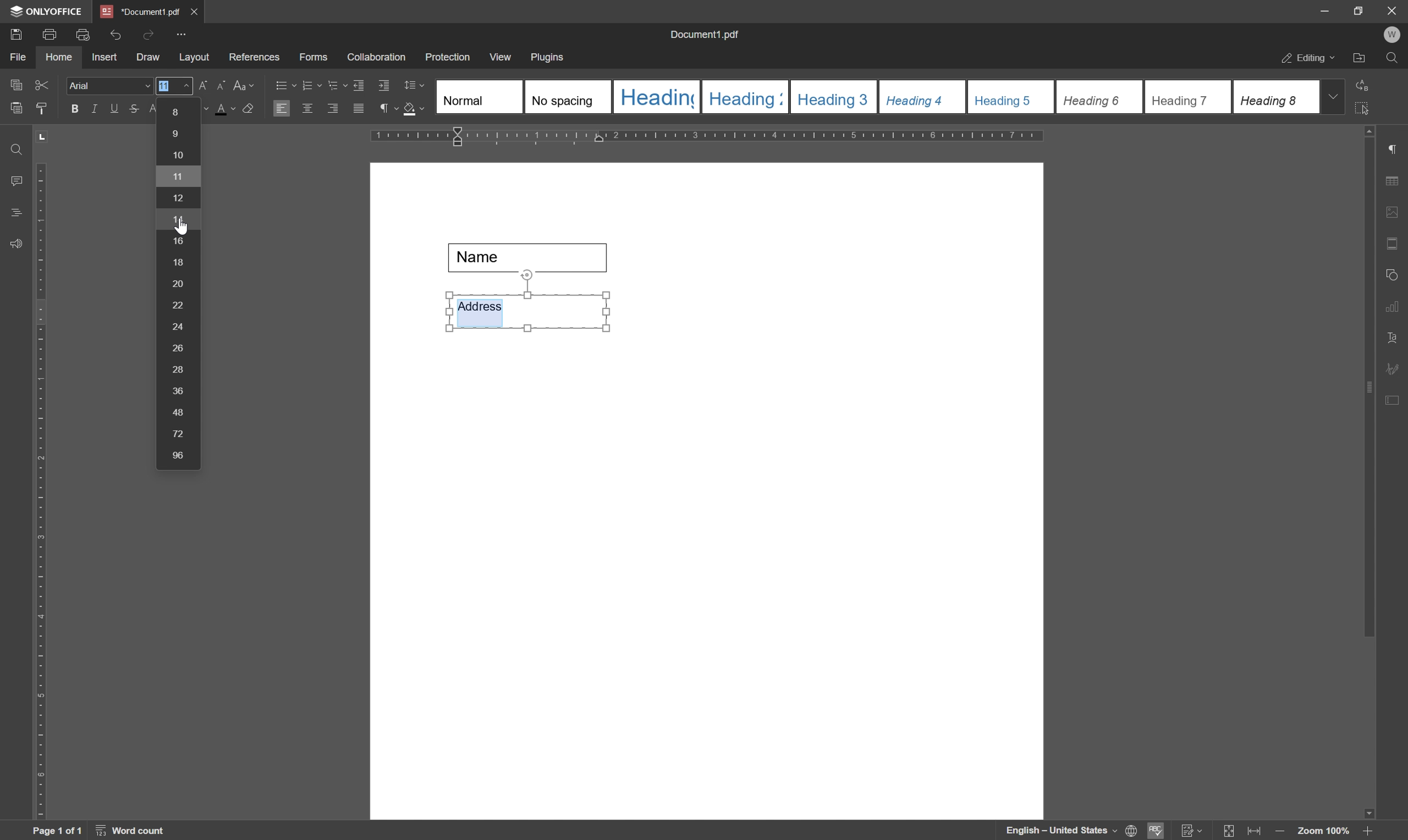 This screenshot has height=840, width=1408. What do you see at coordinates (110, 86) in the screenshot?
I see `font` at bounding box center [110, 86].